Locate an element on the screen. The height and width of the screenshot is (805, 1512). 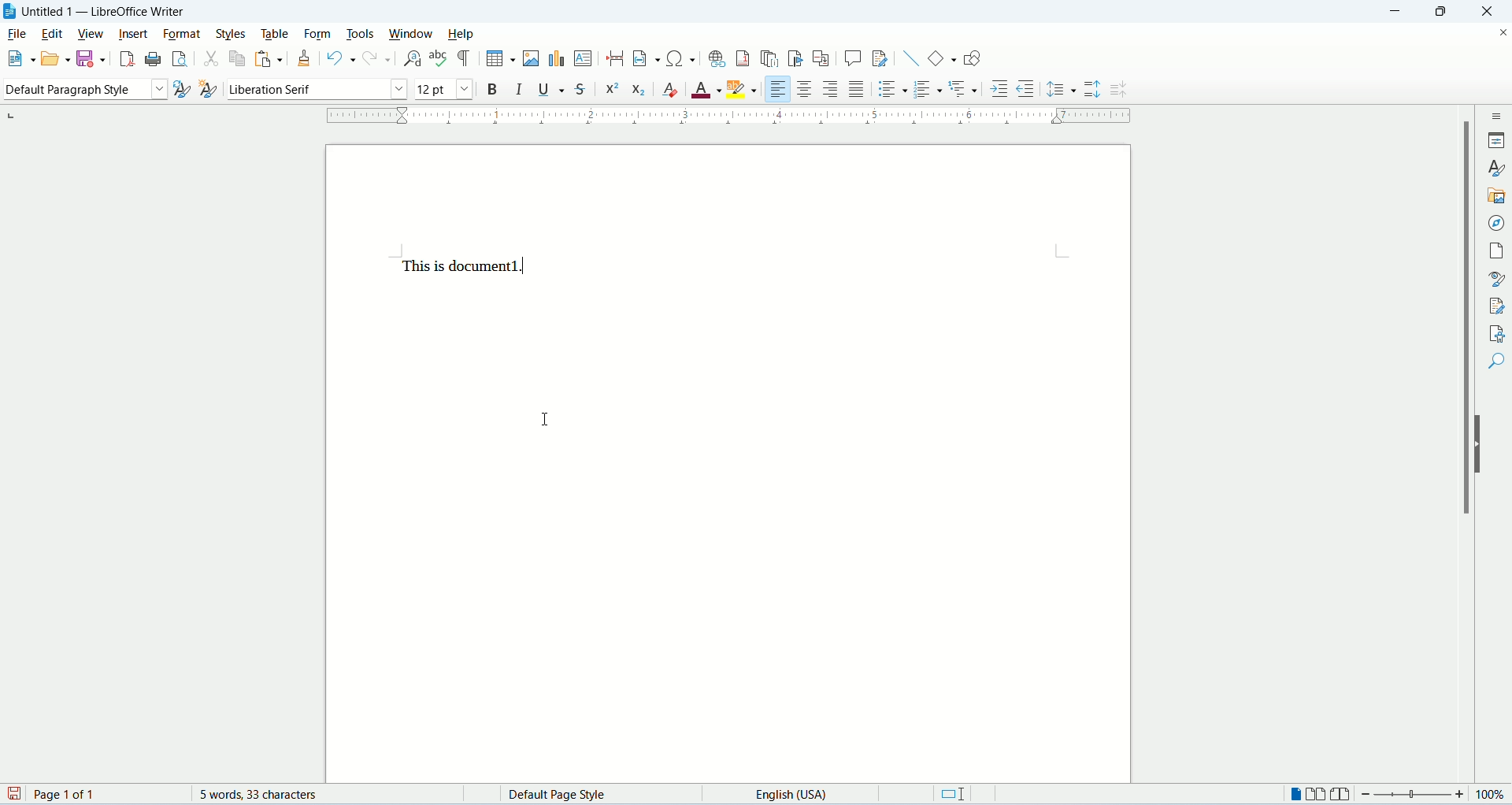
style inspector is located at coordinates (1494, 280).